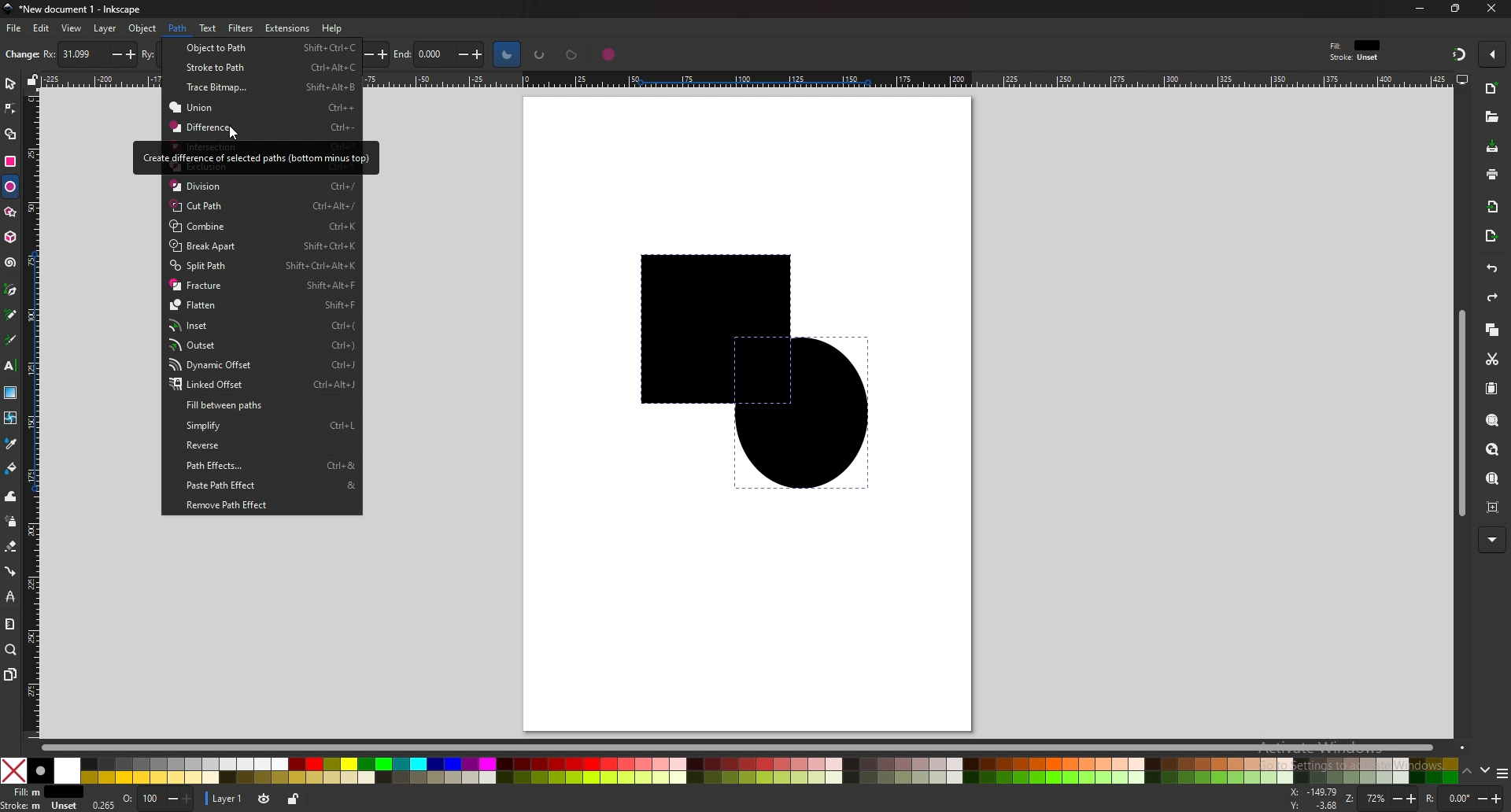 The width and height of the screenshot is (1511, 812). I want to click on pencil, so click(12, 314).